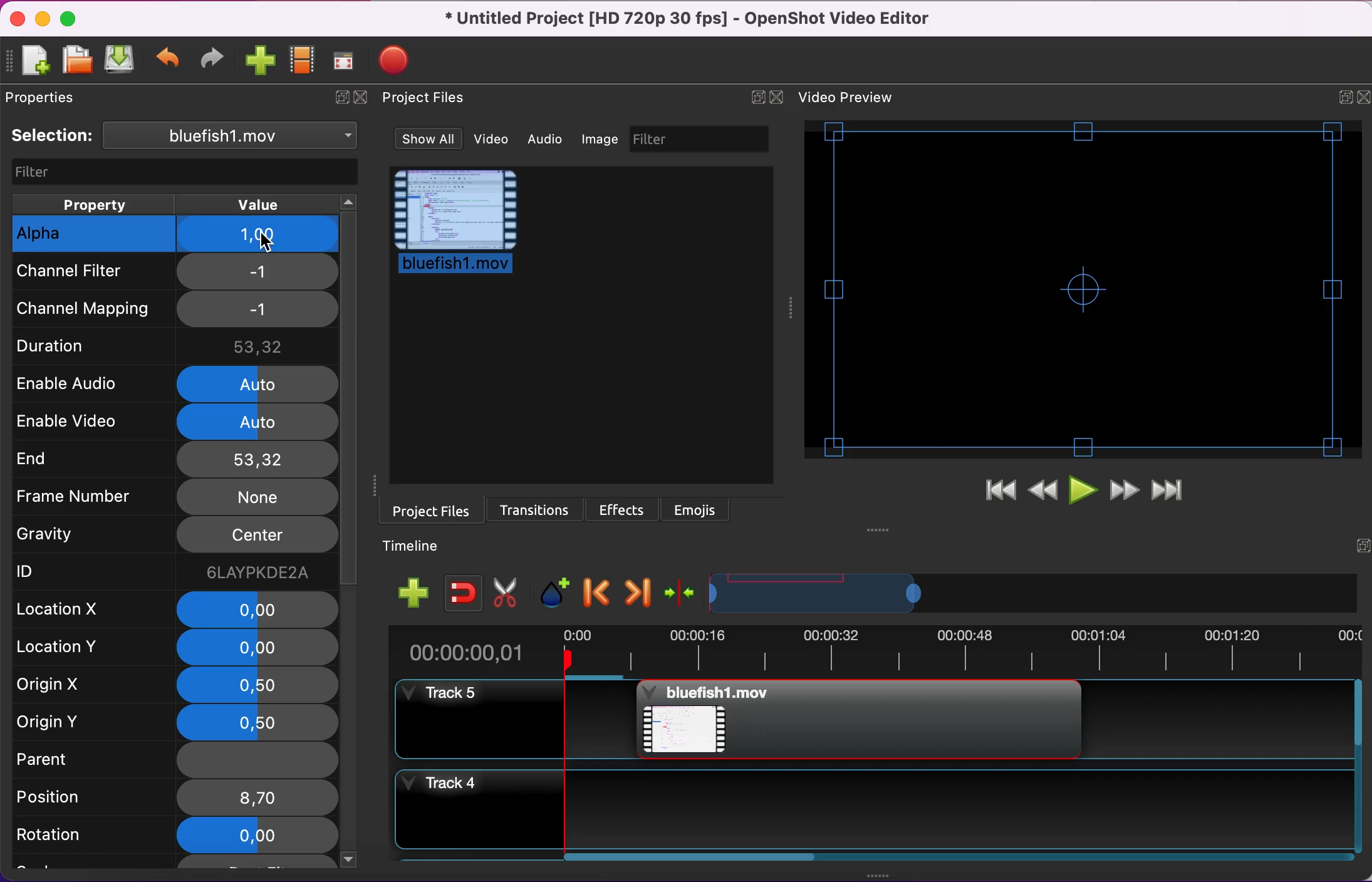  I want to click on parent, so click(70, 758).